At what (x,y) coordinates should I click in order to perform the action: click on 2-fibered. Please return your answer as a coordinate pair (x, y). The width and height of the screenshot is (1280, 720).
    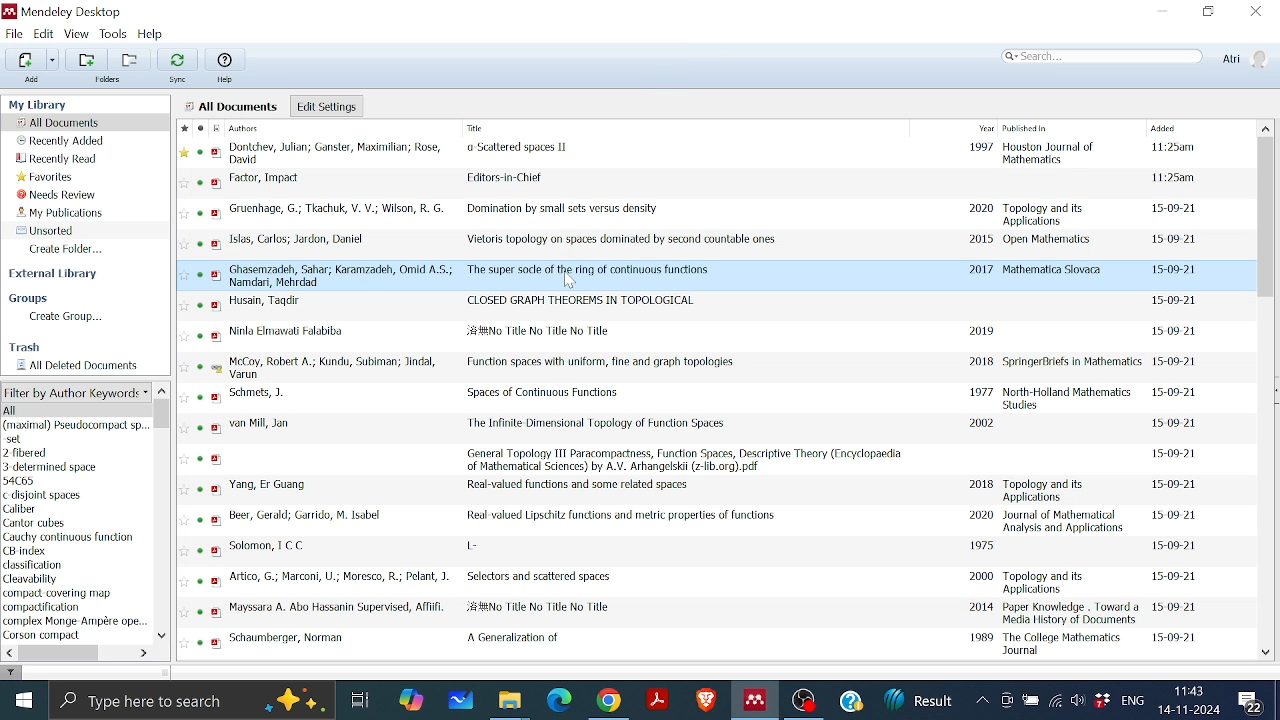
    Looking at the image, I should click on (29, 452).